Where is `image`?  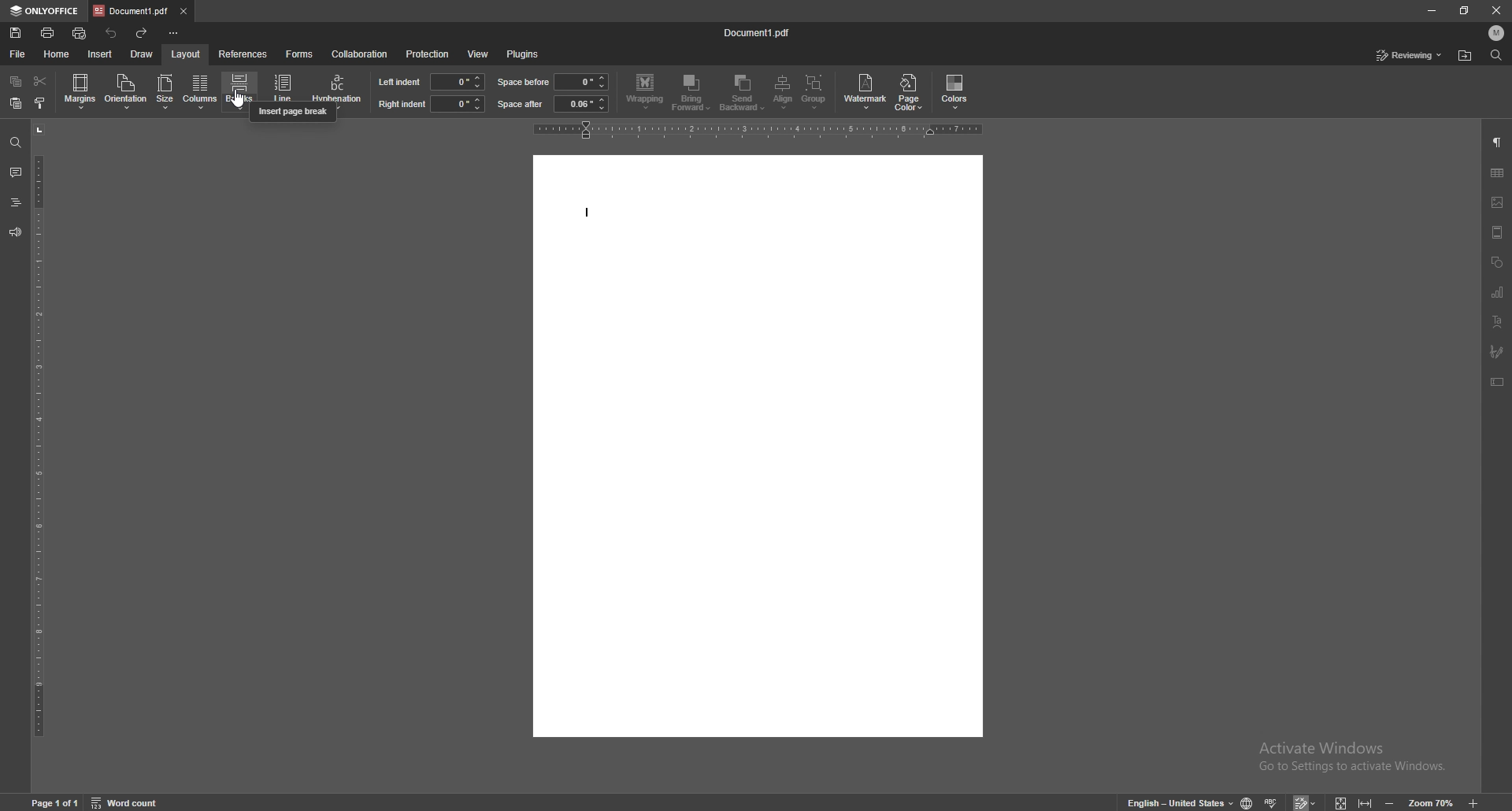 image is located at coordinates (1497, 203).